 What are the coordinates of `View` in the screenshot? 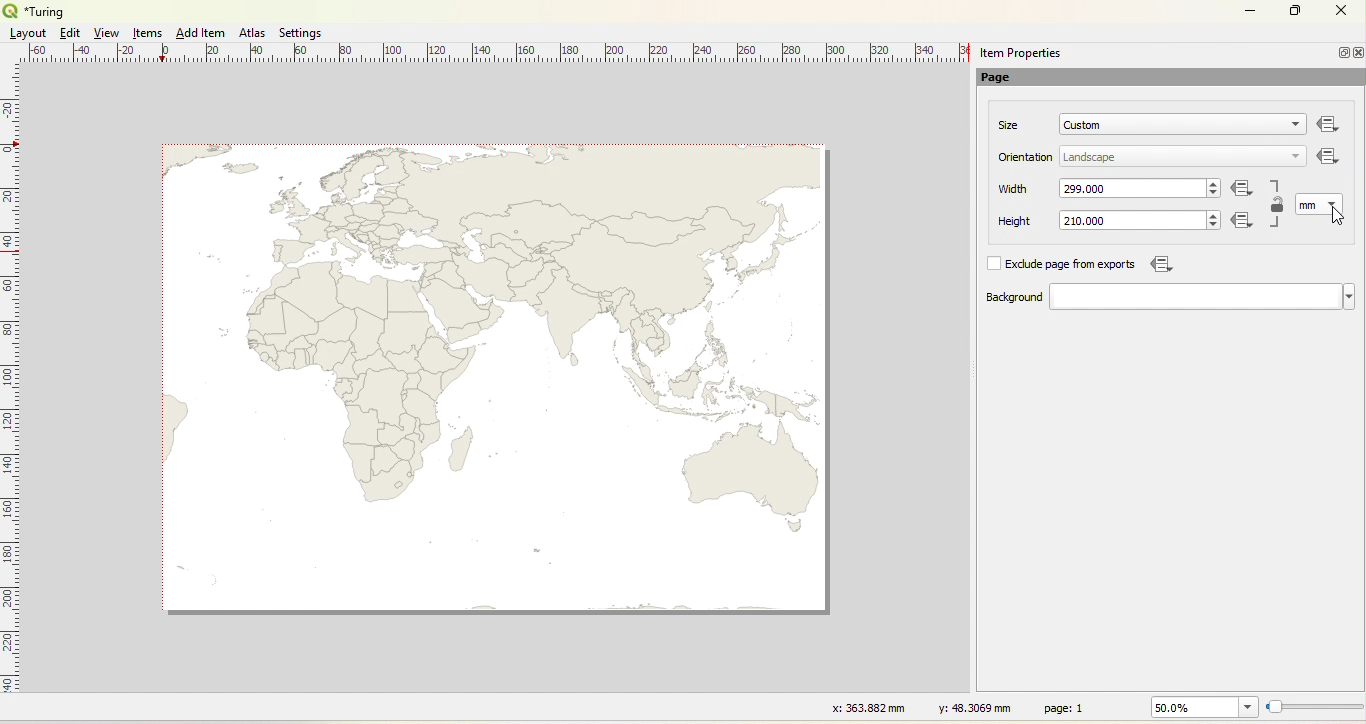 It's located at (108, 33).